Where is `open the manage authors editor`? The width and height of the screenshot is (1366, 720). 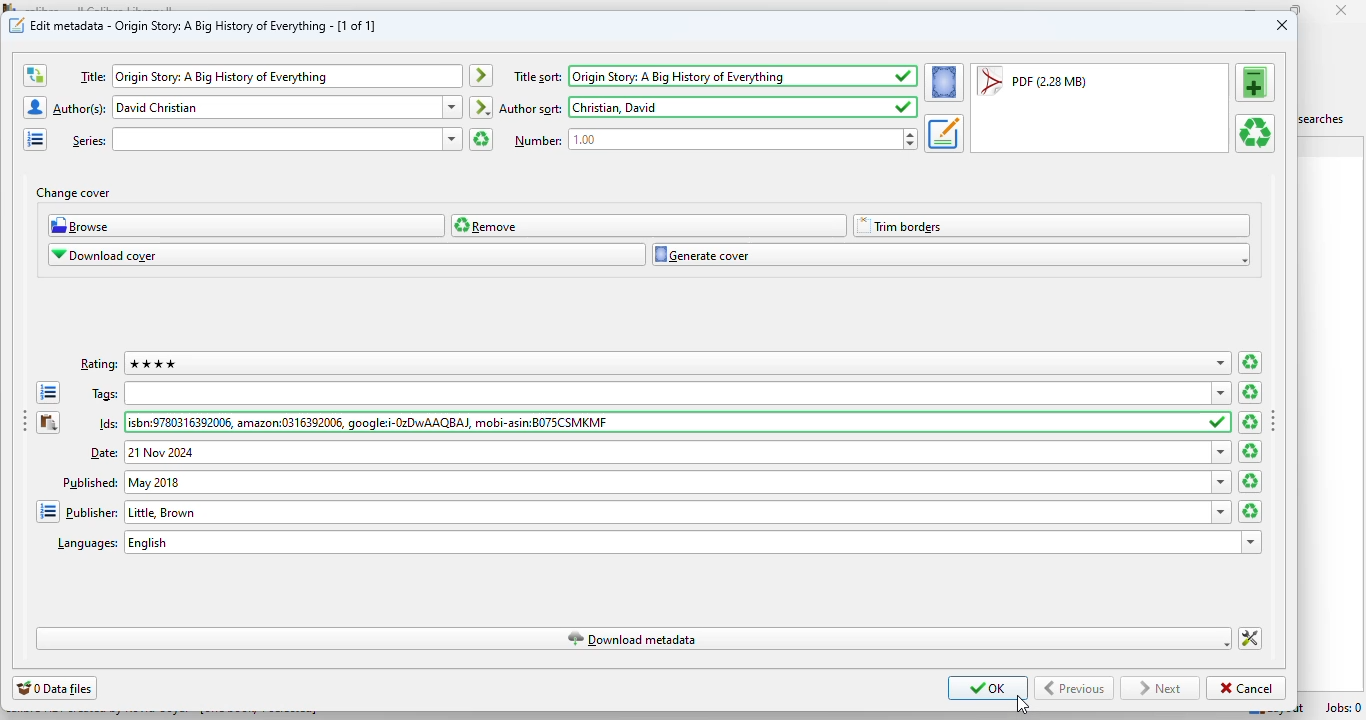
open the manage authors editor is located at coordinates (36, 107).